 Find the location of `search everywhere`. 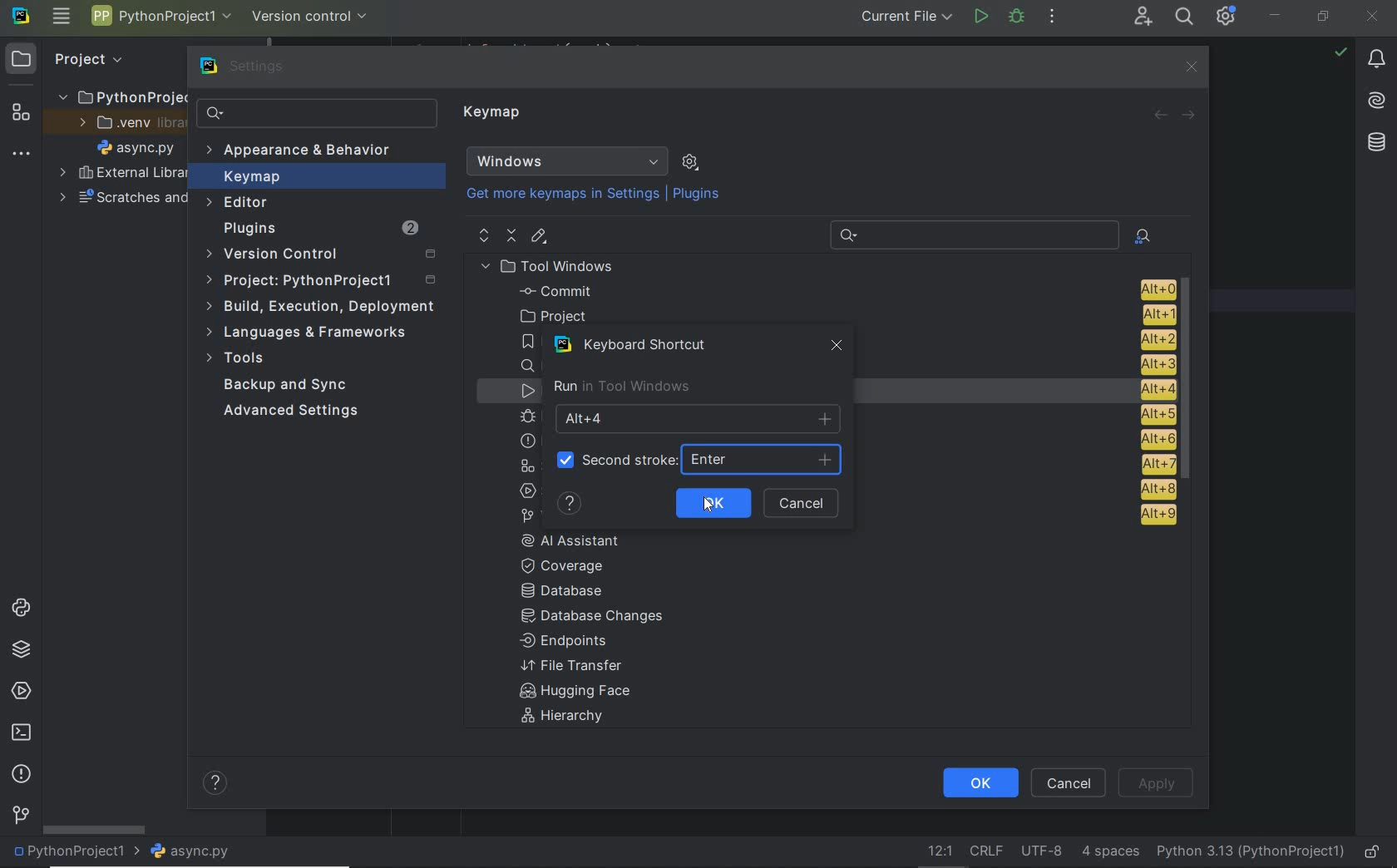

search everywhere is located at coordinates (1185, 17).